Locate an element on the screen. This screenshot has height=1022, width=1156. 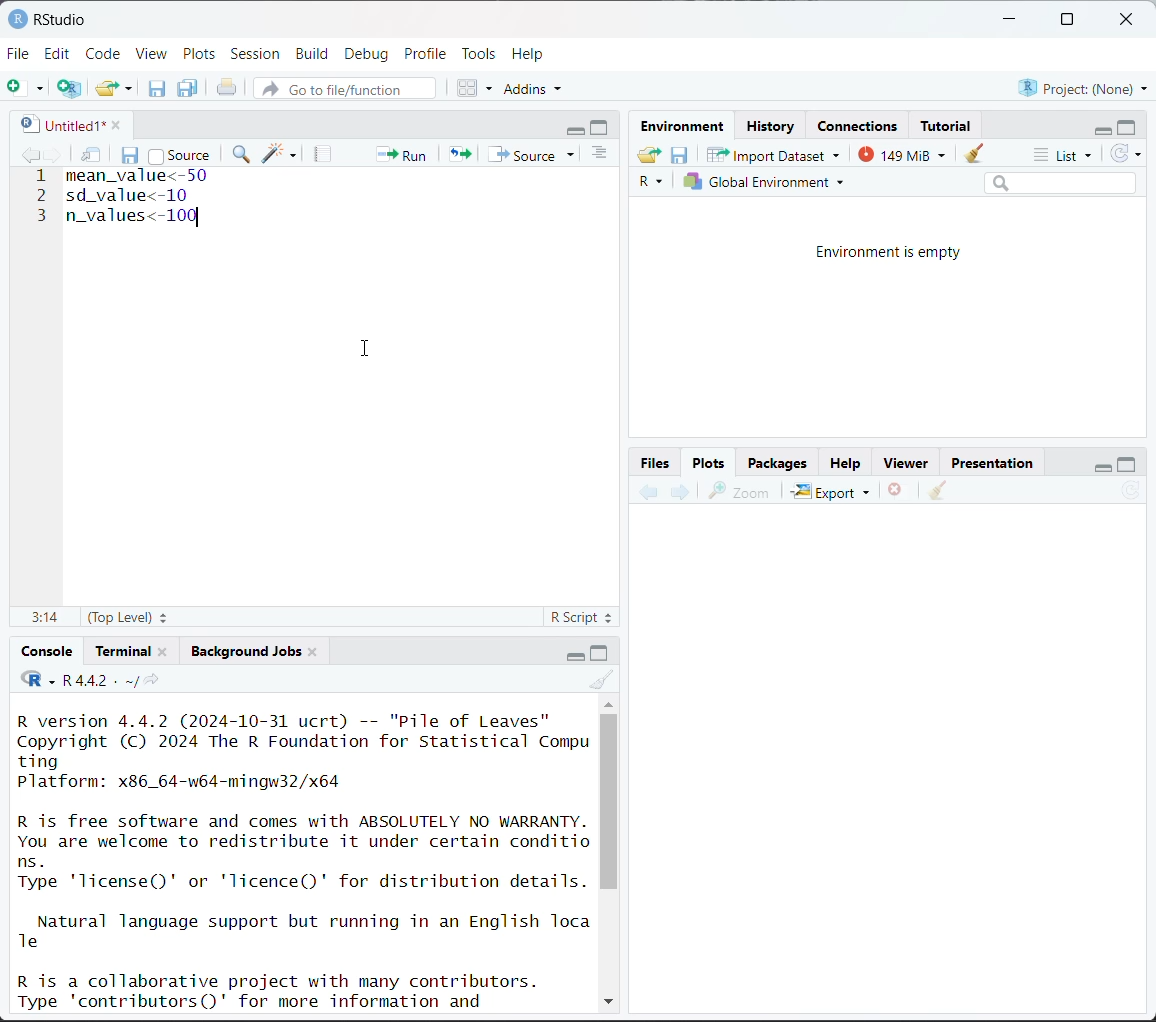
Profile is located at coordinates (428, 52).